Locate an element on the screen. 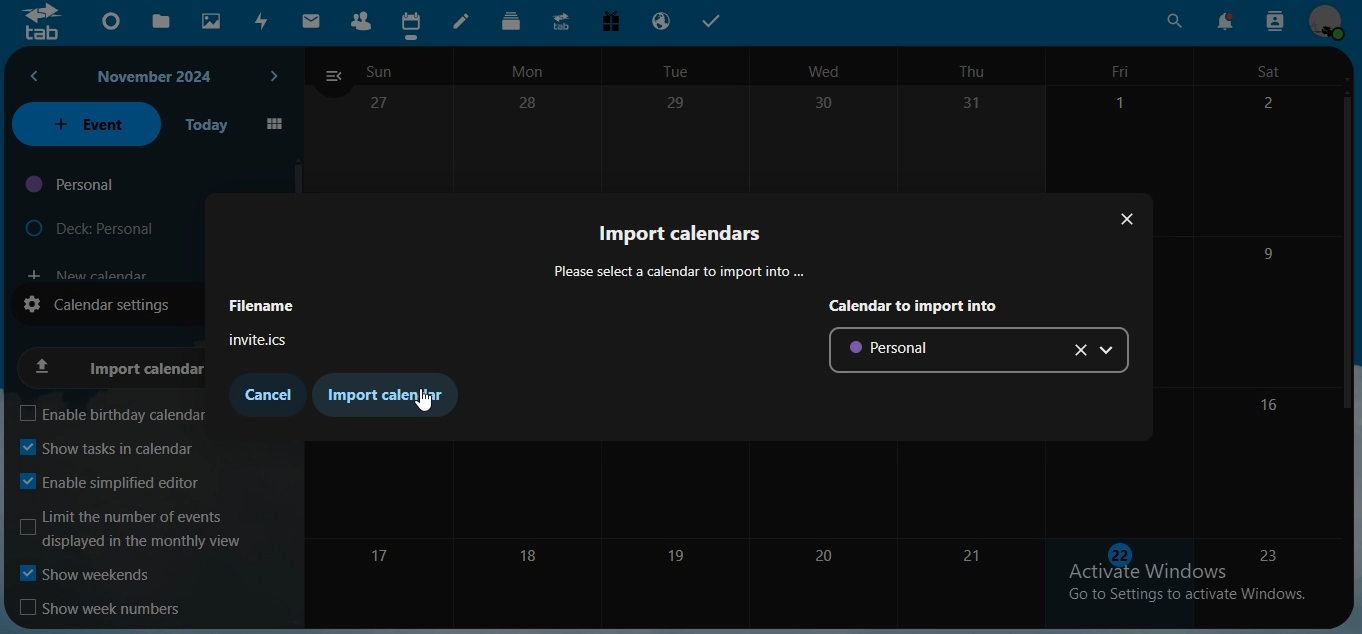  november 2024 is located at coordinates (159, 77).